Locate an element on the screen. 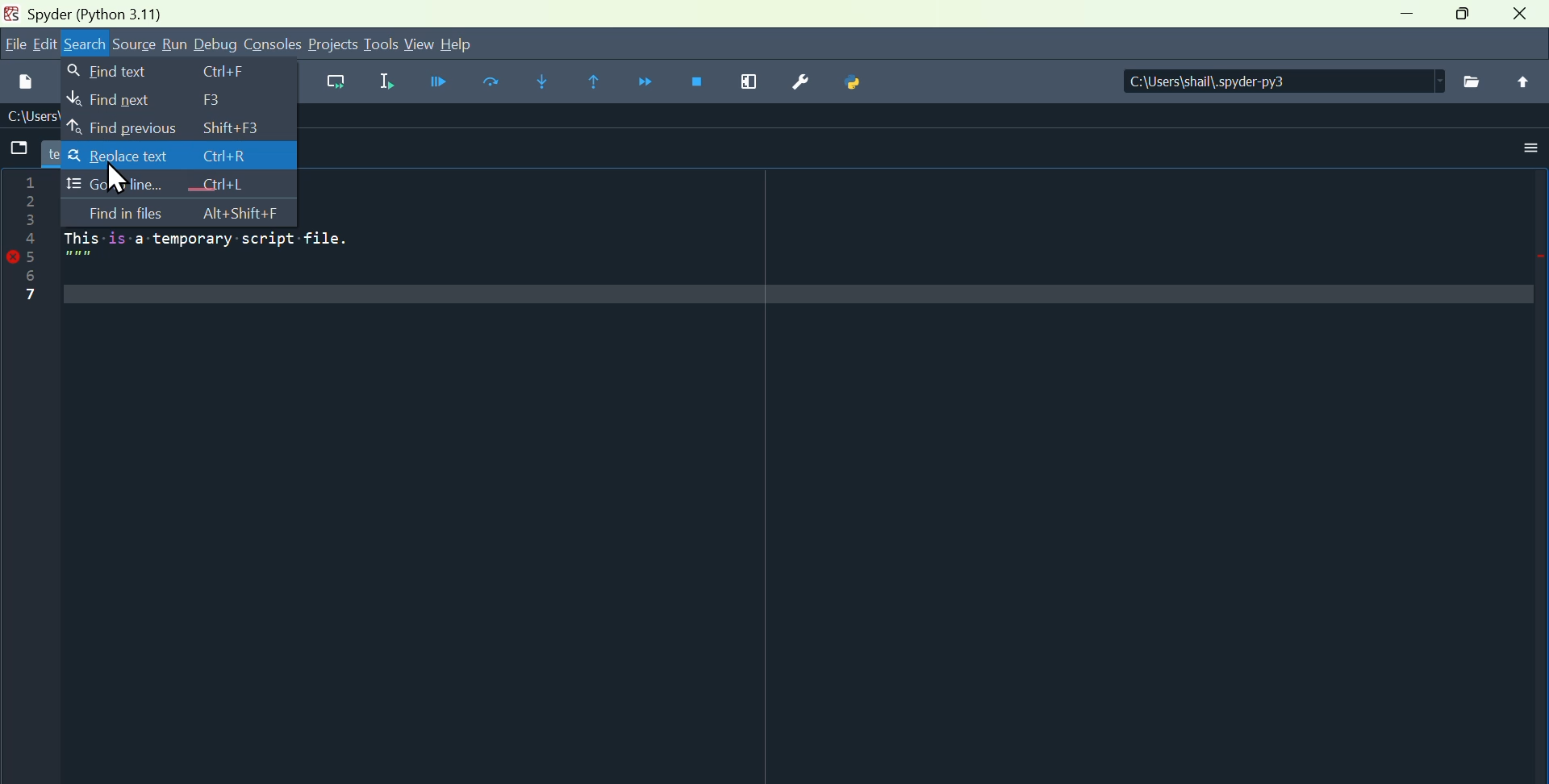 Image resolution: width=1549 pixels, height=784 pixels. Preferences is located at coordinates (799, 83).